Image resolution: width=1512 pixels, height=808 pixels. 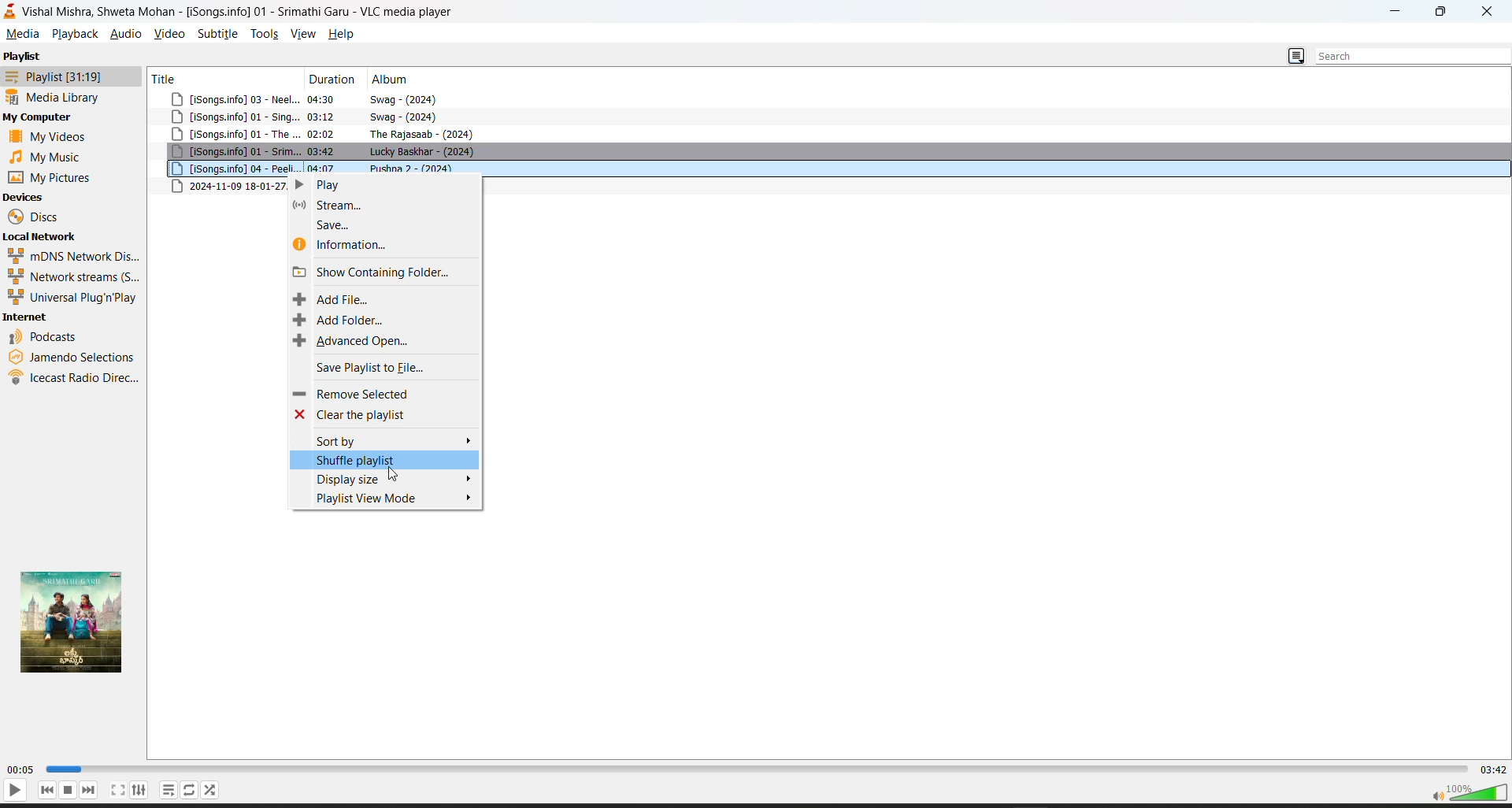 What do you see at coordinates (368, 370) in the screenshot?
I see `save playlist to file` at bounding box center [368, 370].